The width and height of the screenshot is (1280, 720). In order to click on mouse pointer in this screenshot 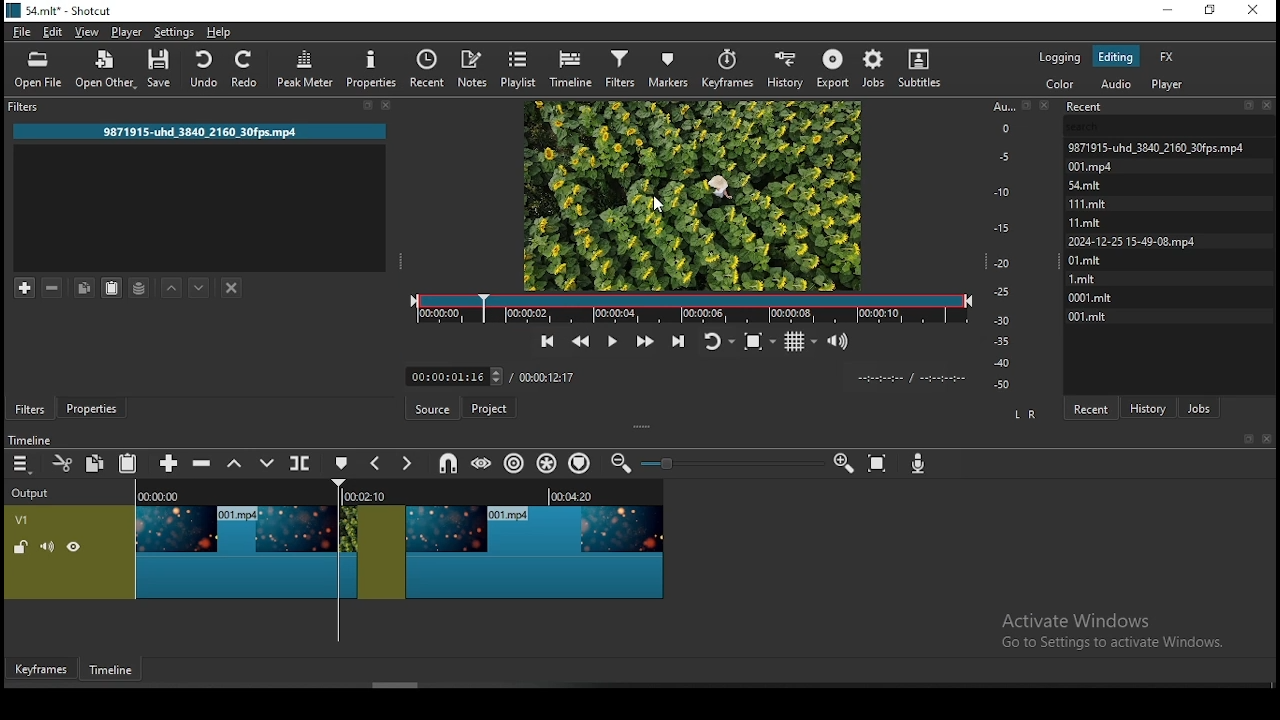, I will do `click(657, 204)`.